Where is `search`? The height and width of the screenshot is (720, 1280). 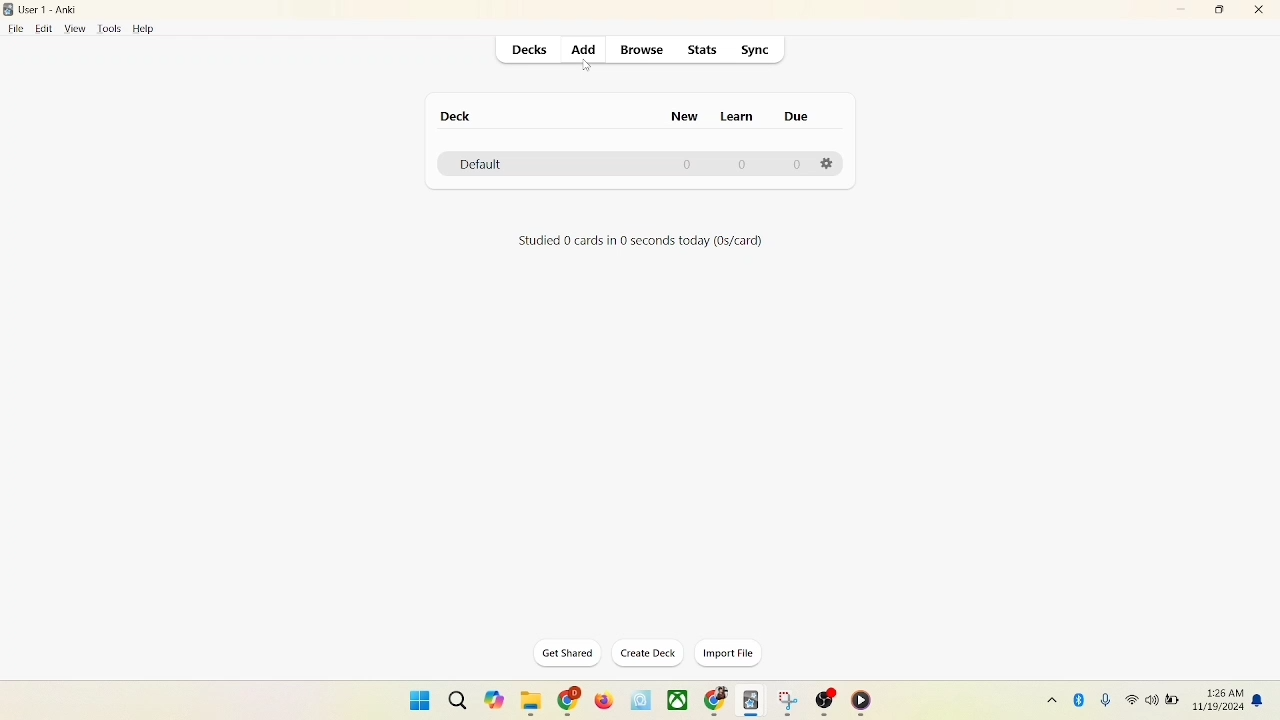 search is located at coordinates (456, 696).